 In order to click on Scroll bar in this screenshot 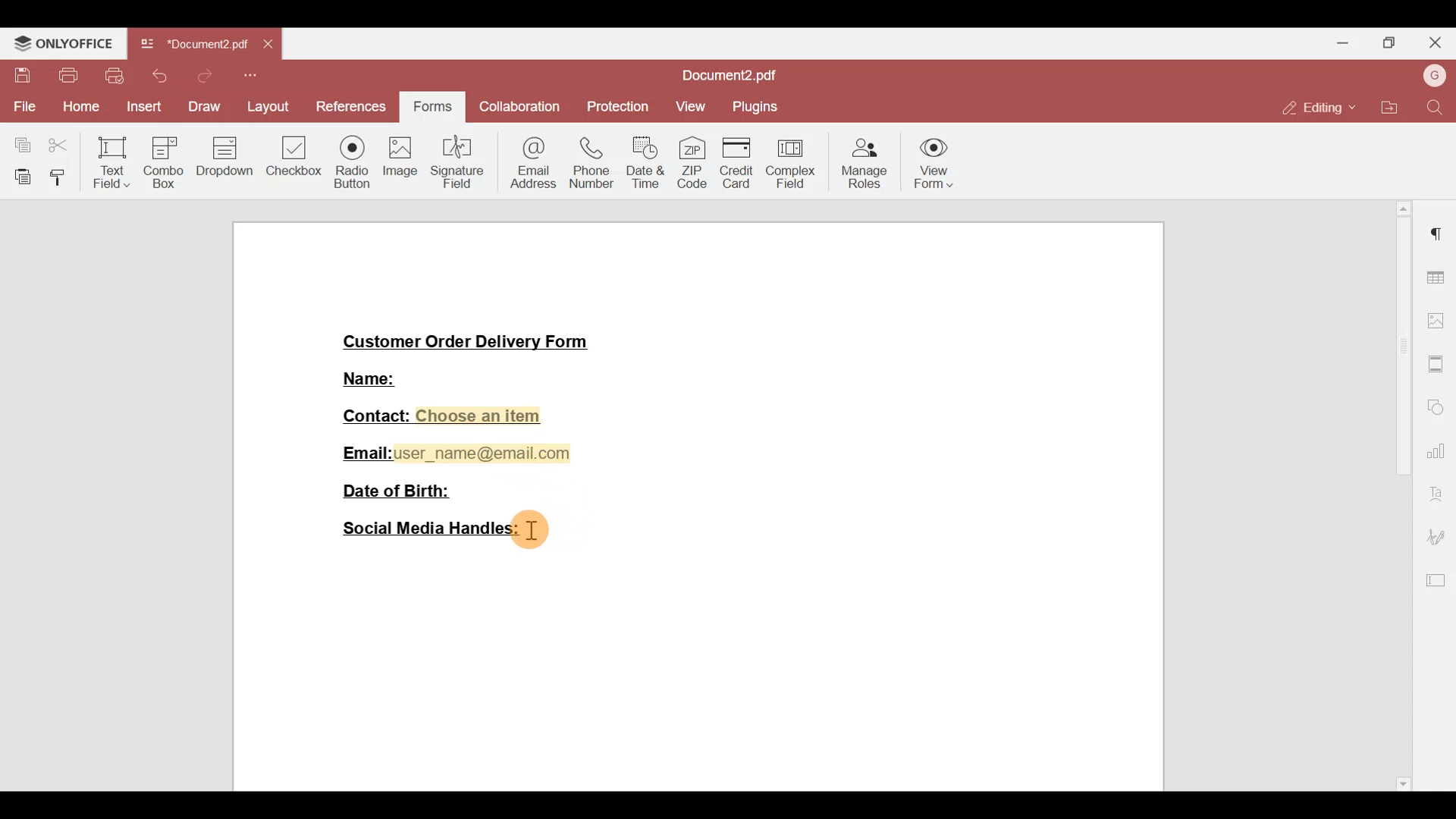, I will do `click(1400, 495)`.